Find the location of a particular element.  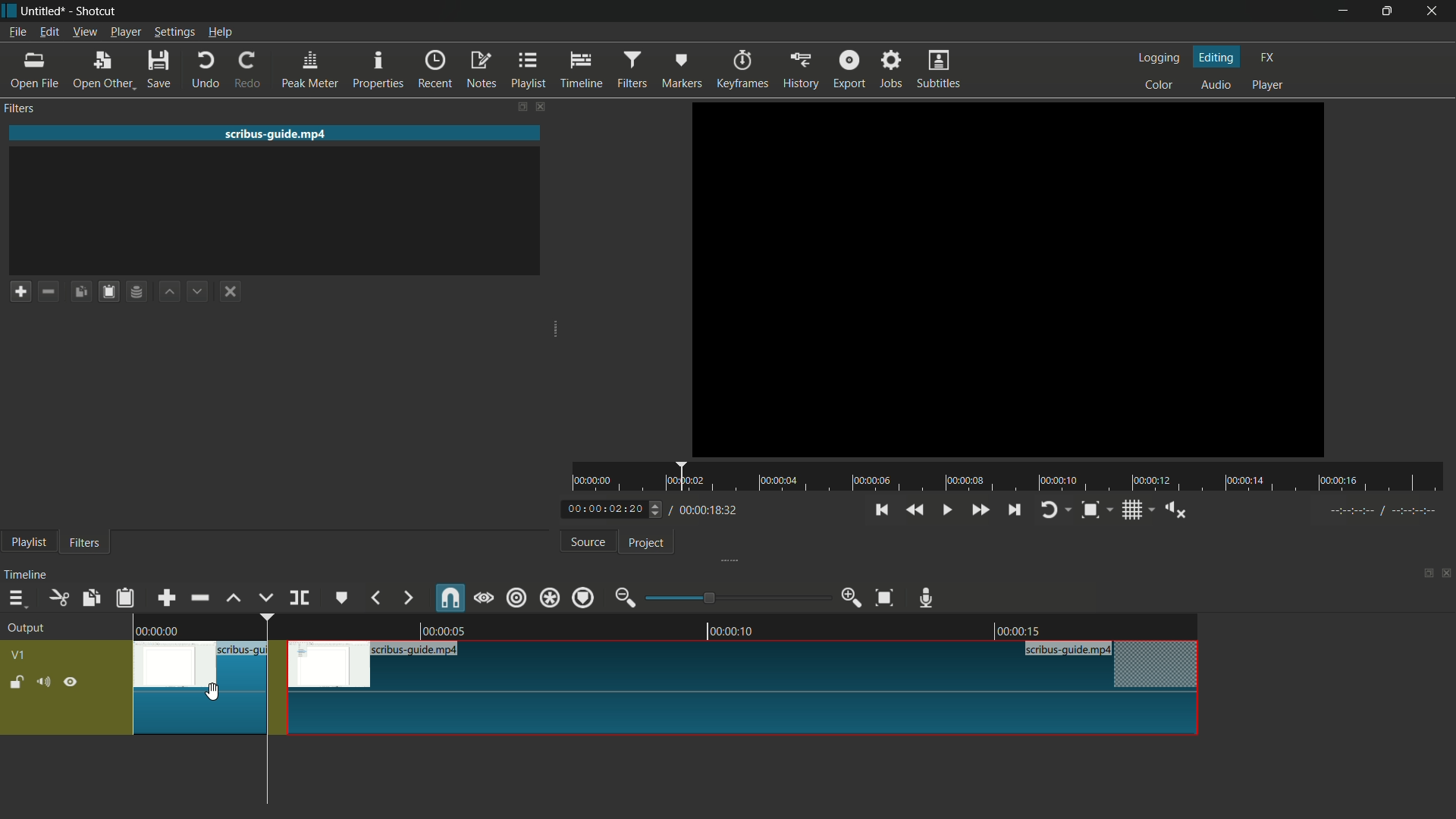

timeline is located at coordinates (26, 575).